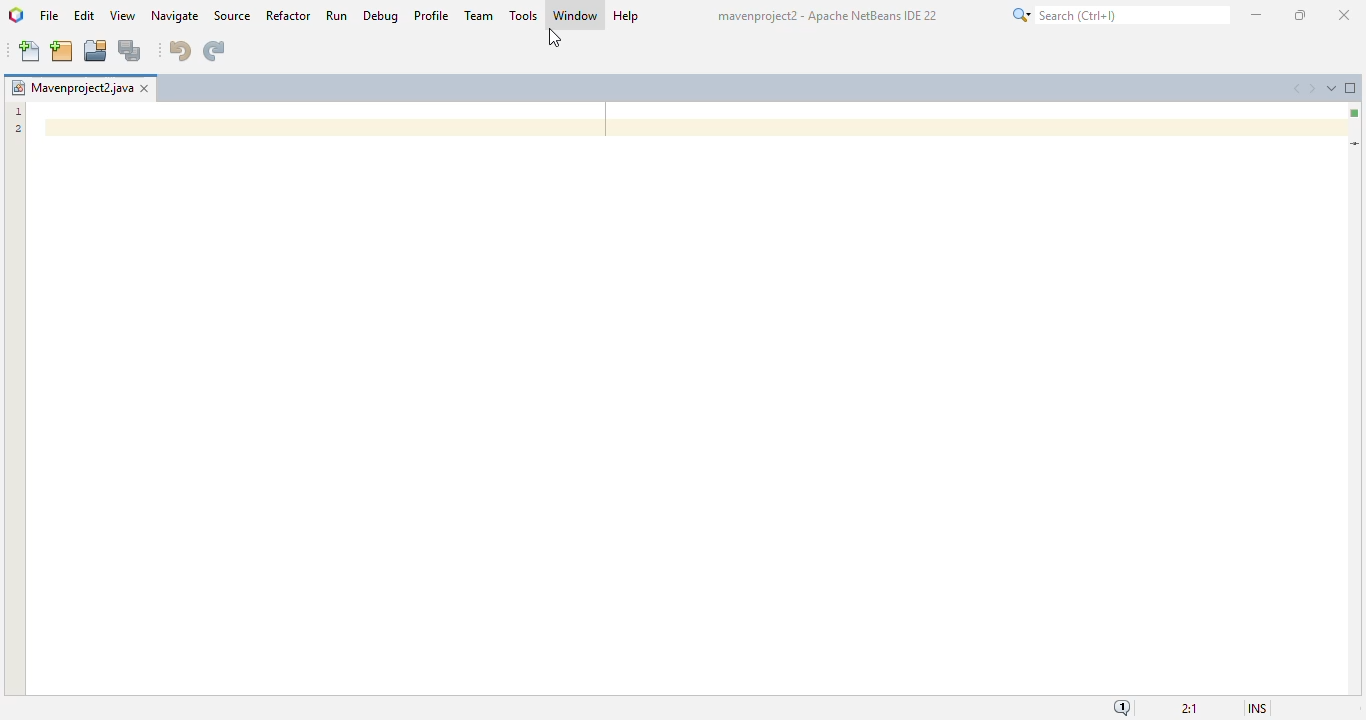 This screenshot has width=1366, height=720. What do you see at coordinates (289, 15) in the screenshot?
I see `refactor` at bounding box center [289, 15].